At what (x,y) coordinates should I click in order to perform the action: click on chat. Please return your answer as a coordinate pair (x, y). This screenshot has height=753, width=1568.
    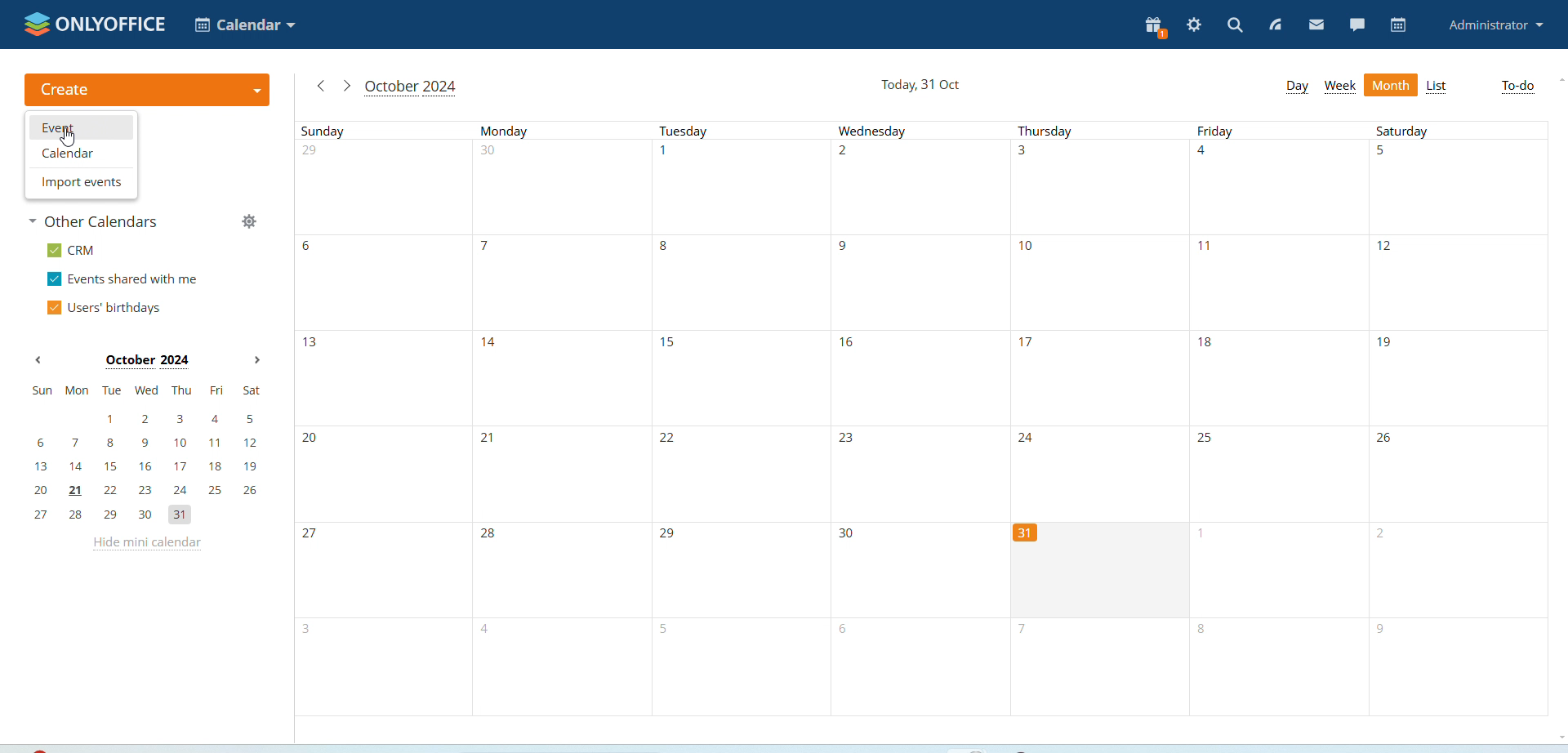
    Looking at the image, I should click on (1359, 23).